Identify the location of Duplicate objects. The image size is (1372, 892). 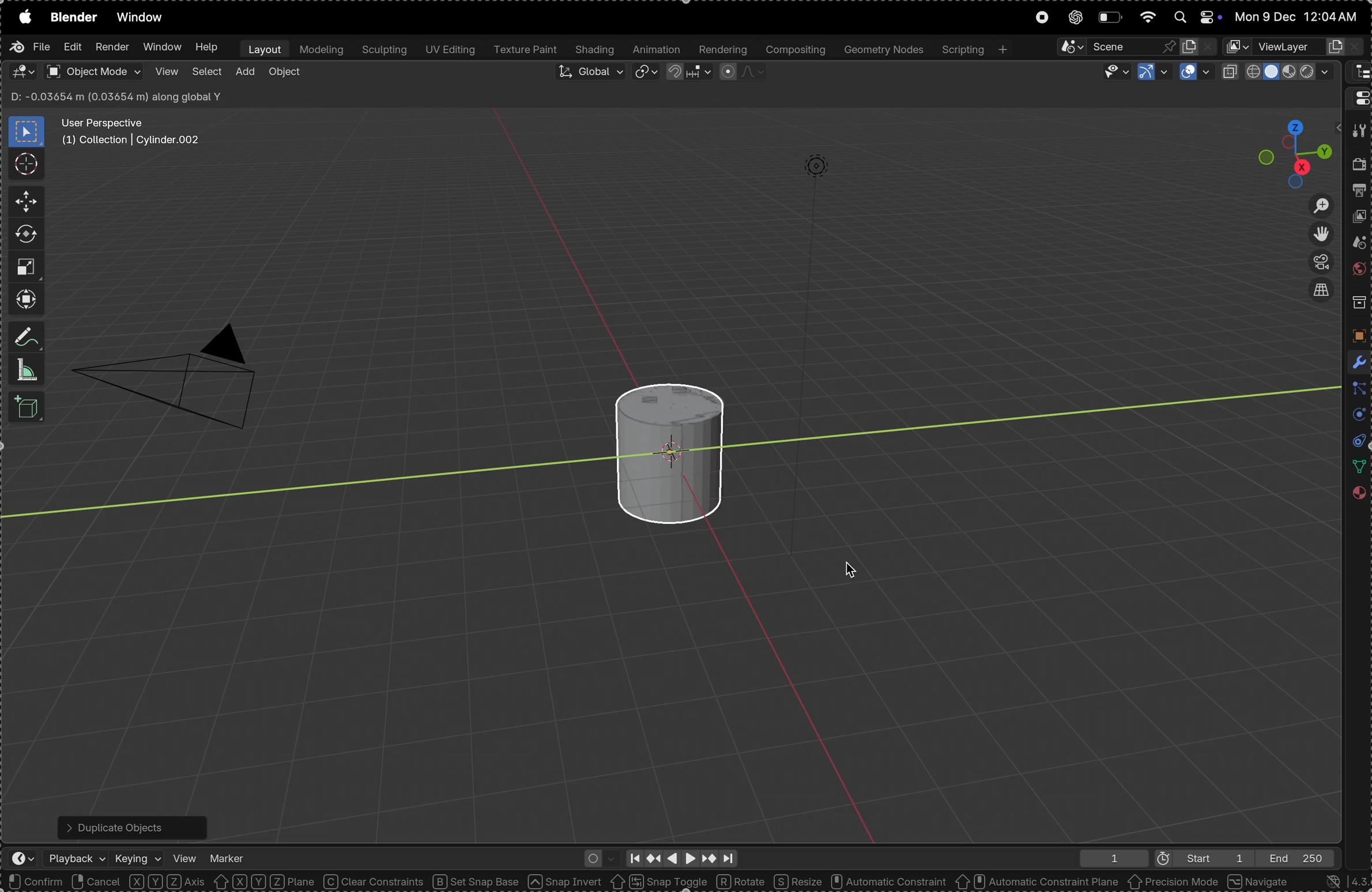
(130, 825).